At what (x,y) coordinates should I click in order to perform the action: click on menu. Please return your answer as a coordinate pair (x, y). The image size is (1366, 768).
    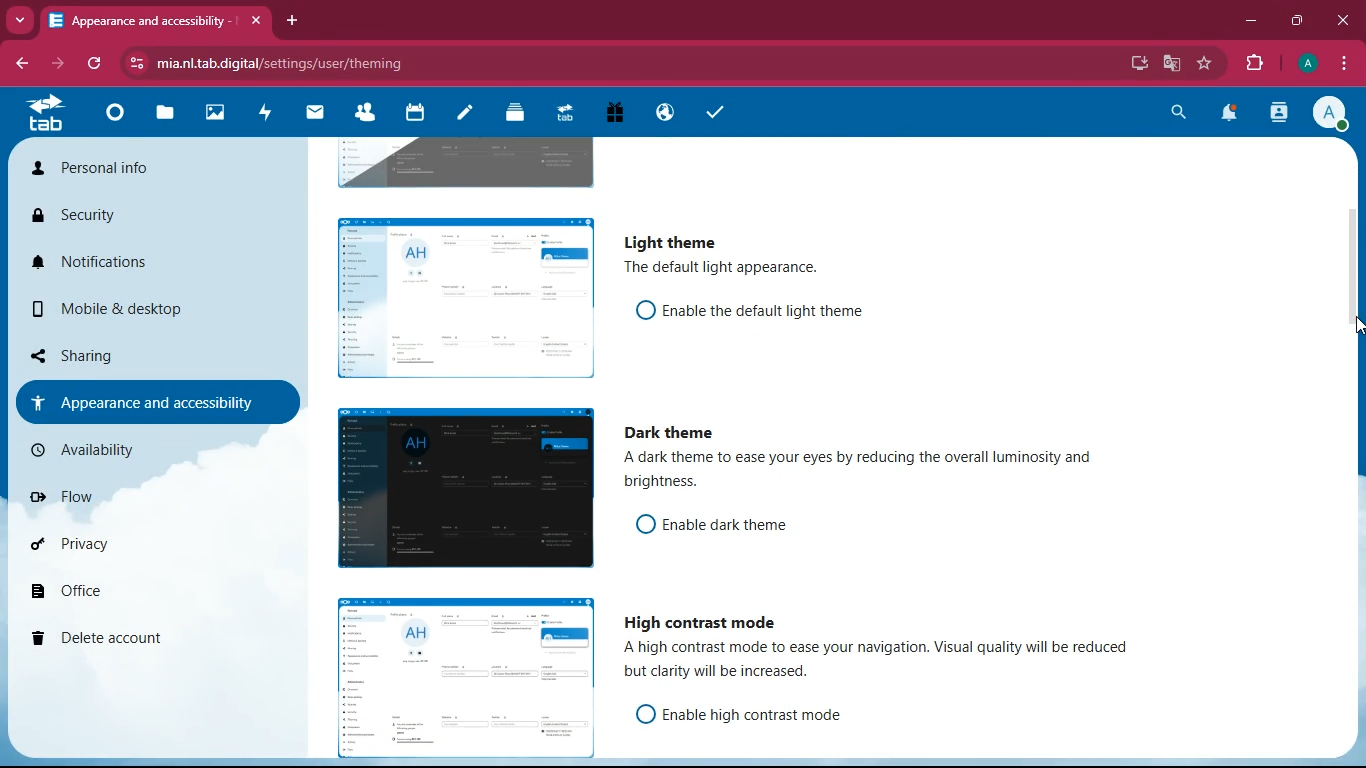
    Looking at the image, I should click on (1343, 65).